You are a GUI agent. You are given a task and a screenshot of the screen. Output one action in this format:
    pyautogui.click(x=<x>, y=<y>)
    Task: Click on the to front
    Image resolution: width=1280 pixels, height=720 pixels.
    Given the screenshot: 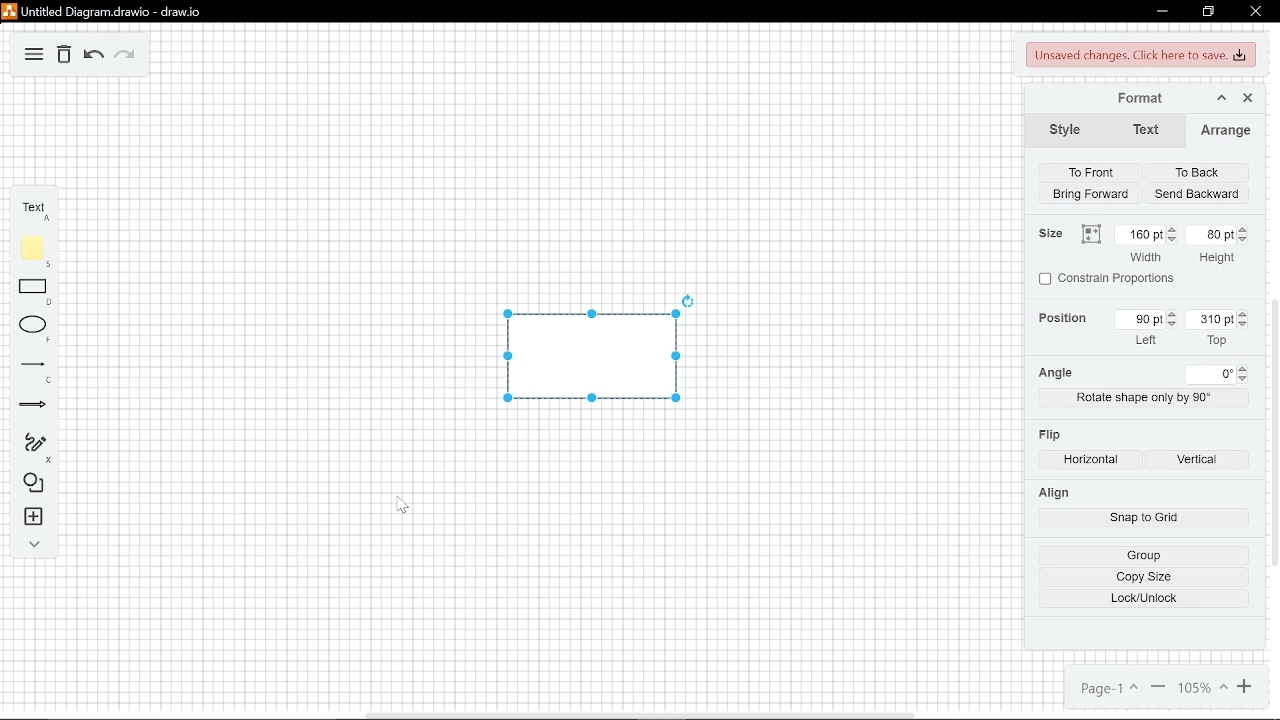 What is the action you would take?
    pyautogui.click(x=1089, y=173)
    